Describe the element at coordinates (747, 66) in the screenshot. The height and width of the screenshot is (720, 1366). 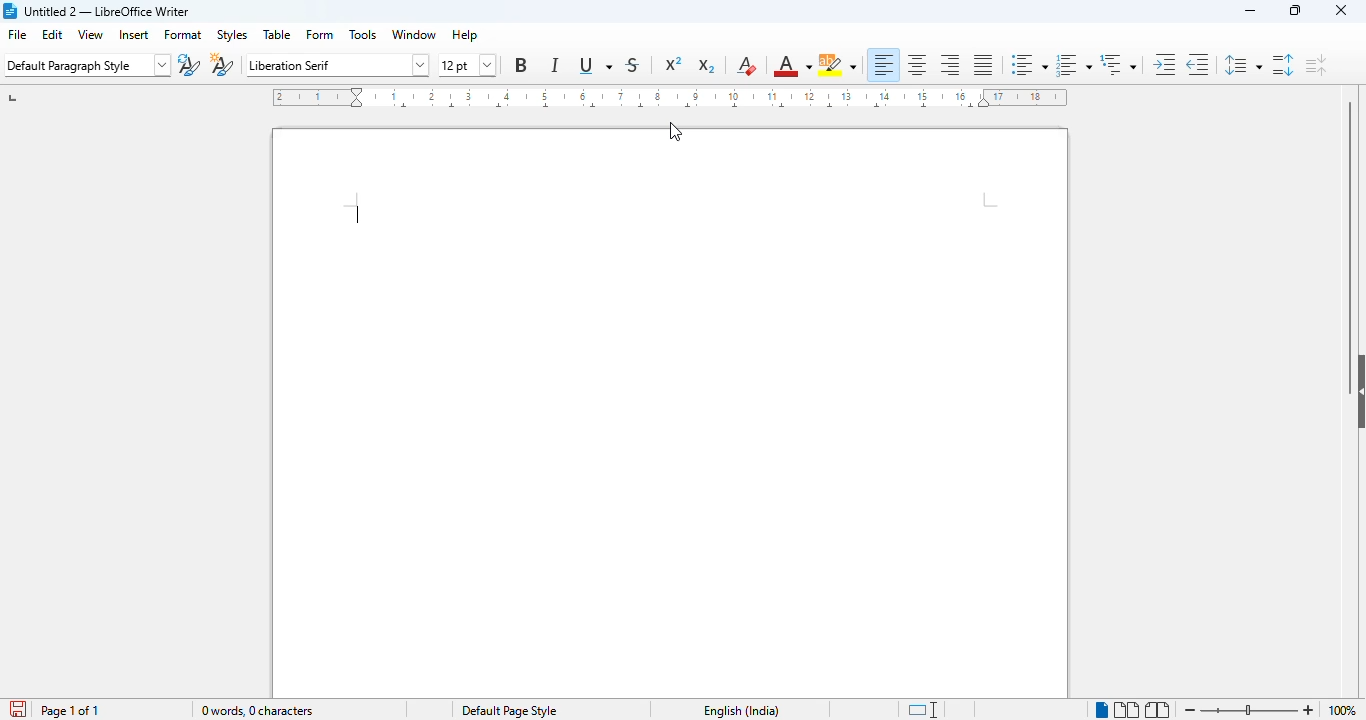
I see `clear direct formatting` at that location.